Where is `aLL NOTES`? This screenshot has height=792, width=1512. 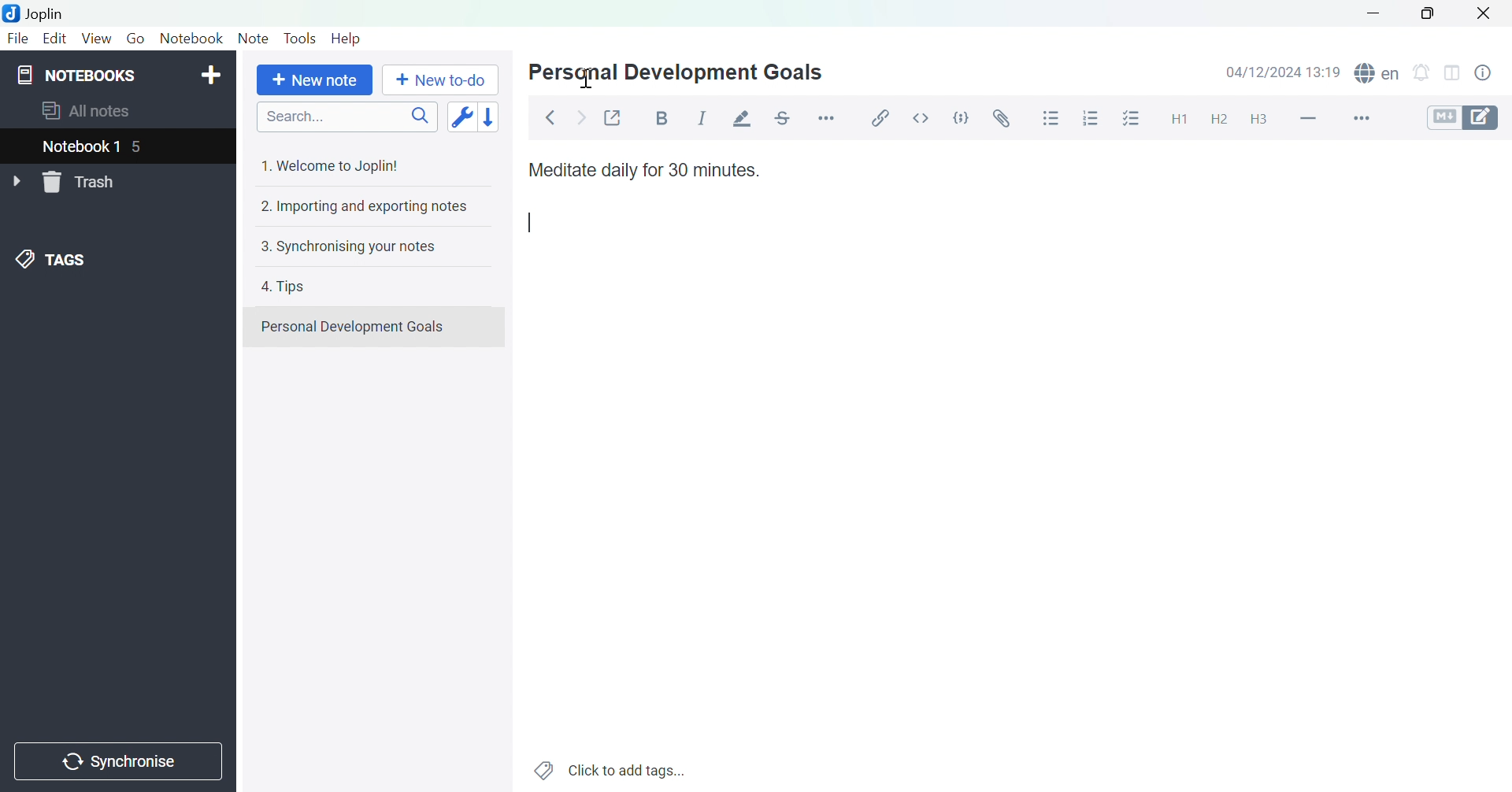 aLL NOTES is located at coordinates (95, 112).